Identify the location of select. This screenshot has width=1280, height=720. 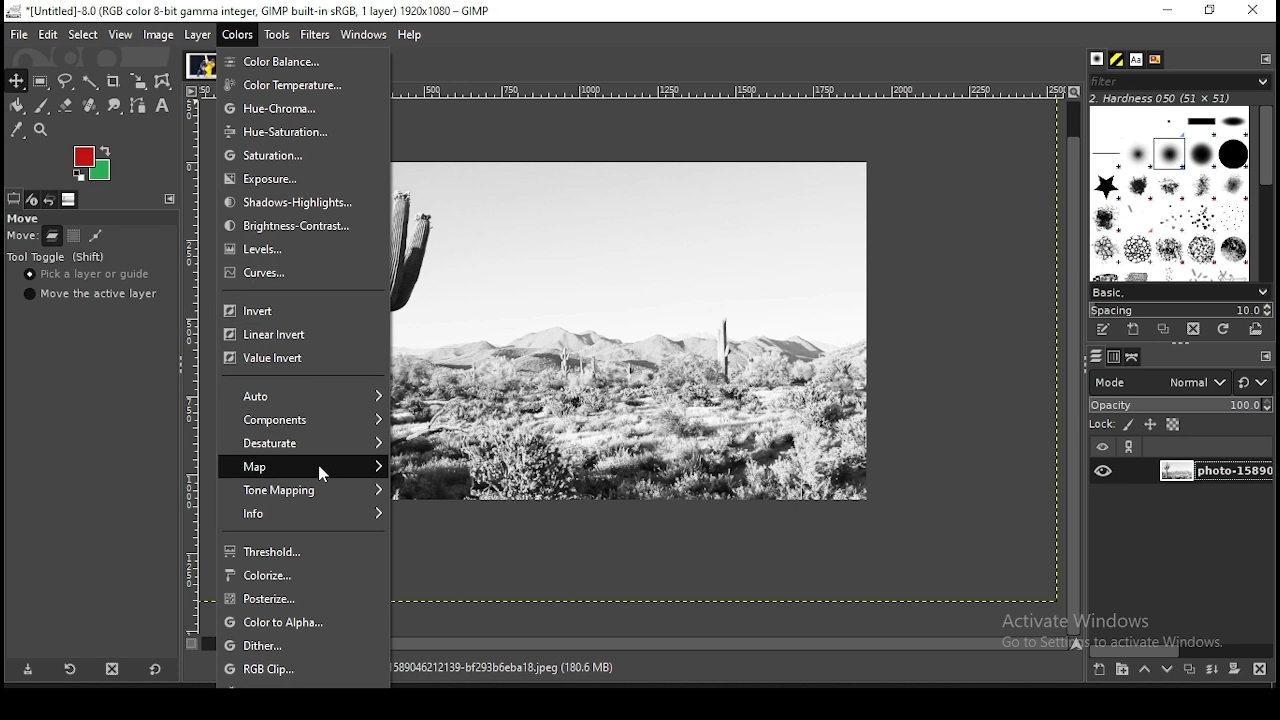
(84, 35).